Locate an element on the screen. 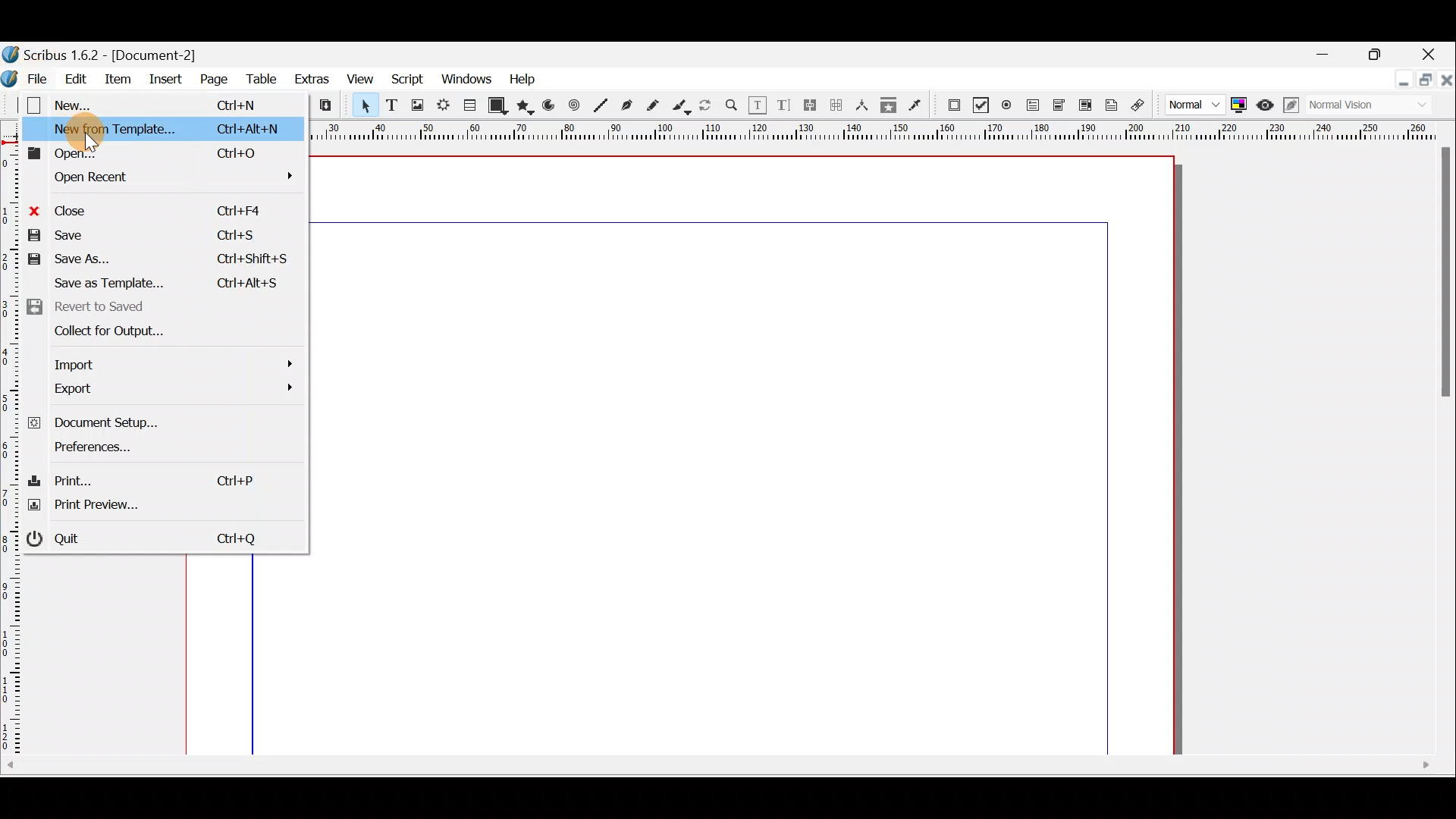 The width and height of the screenshot is (1456, 819). Edit contents of frame is located at coordinates (759, 106).